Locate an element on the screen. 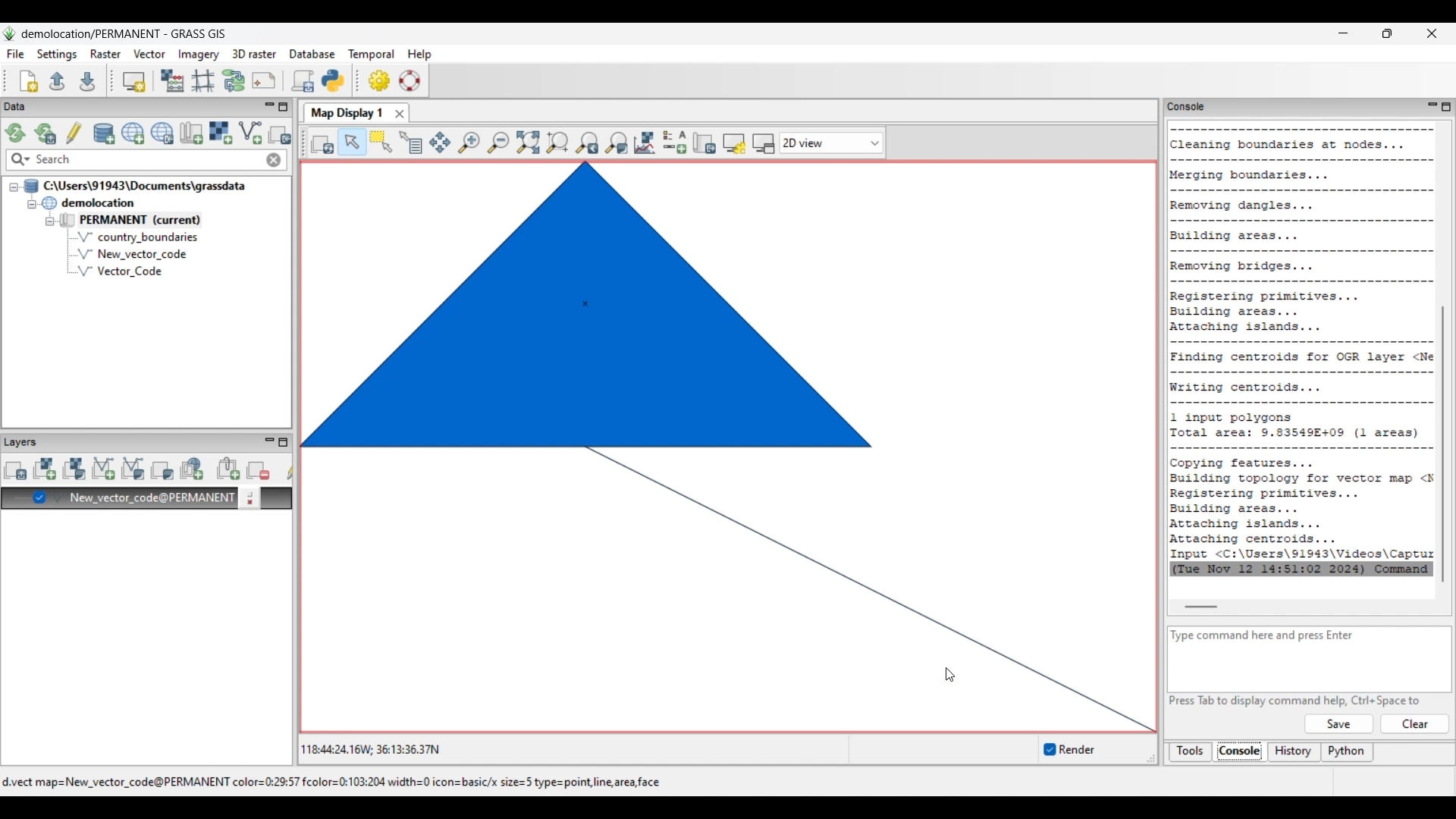  Collapse permanent files view is located at coordinates (50, 221).